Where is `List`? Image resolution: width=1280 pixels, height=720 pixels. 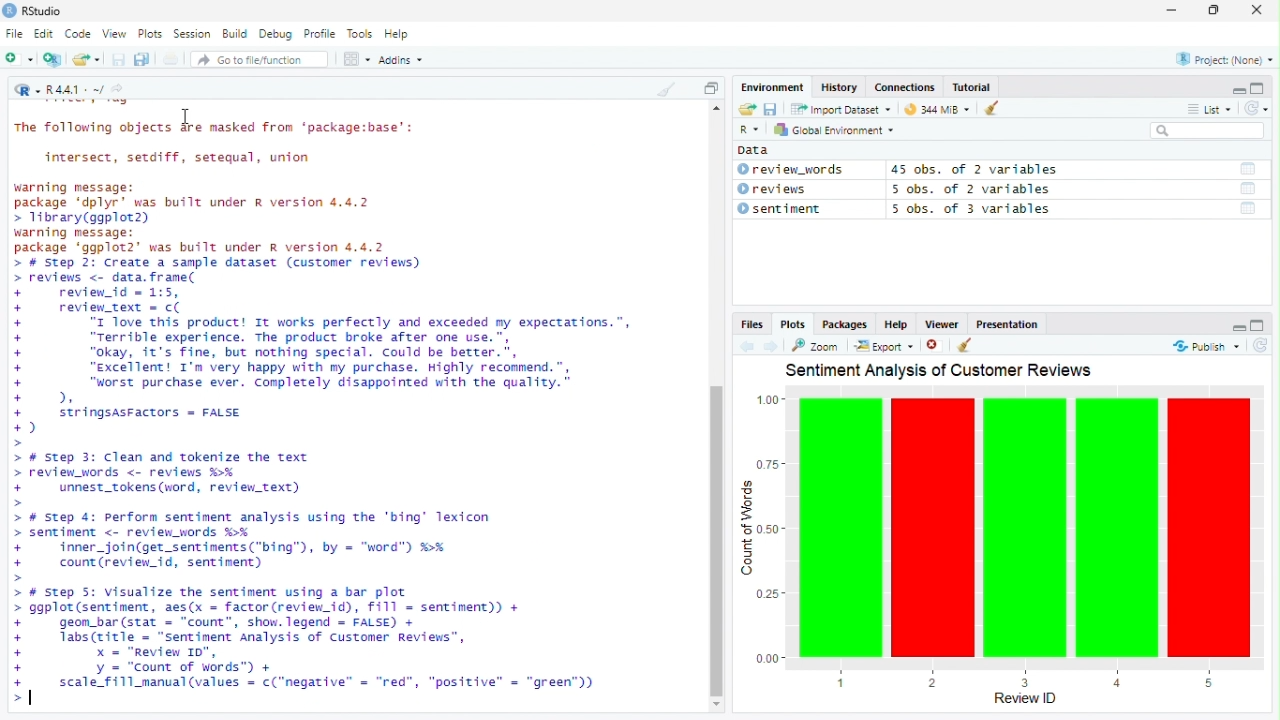
List is located at coordinates (1209, 107).